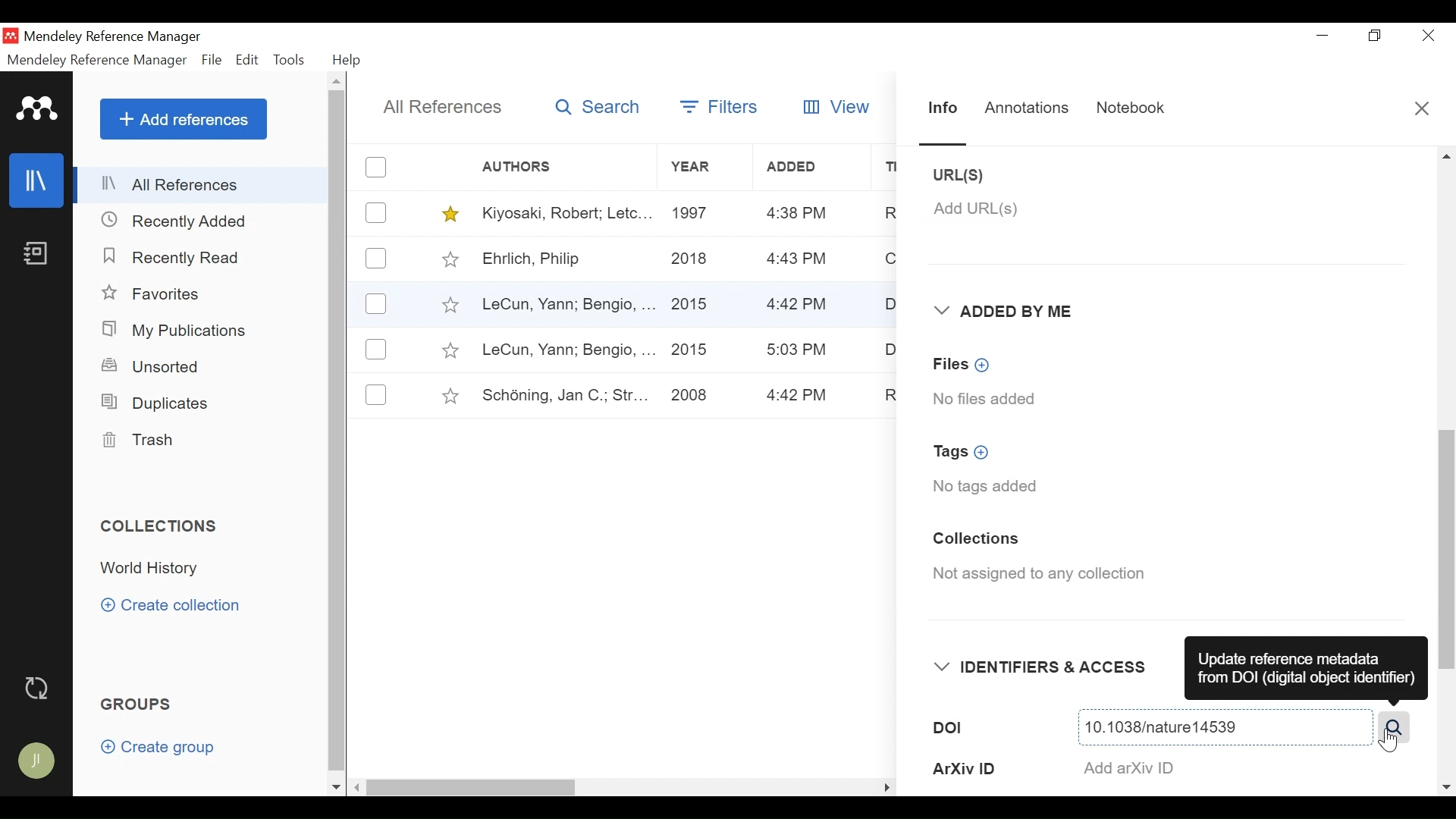  Describe the element at coordinates (450, 396) in the screenshot. I see `Toggle Favorites` at that location.